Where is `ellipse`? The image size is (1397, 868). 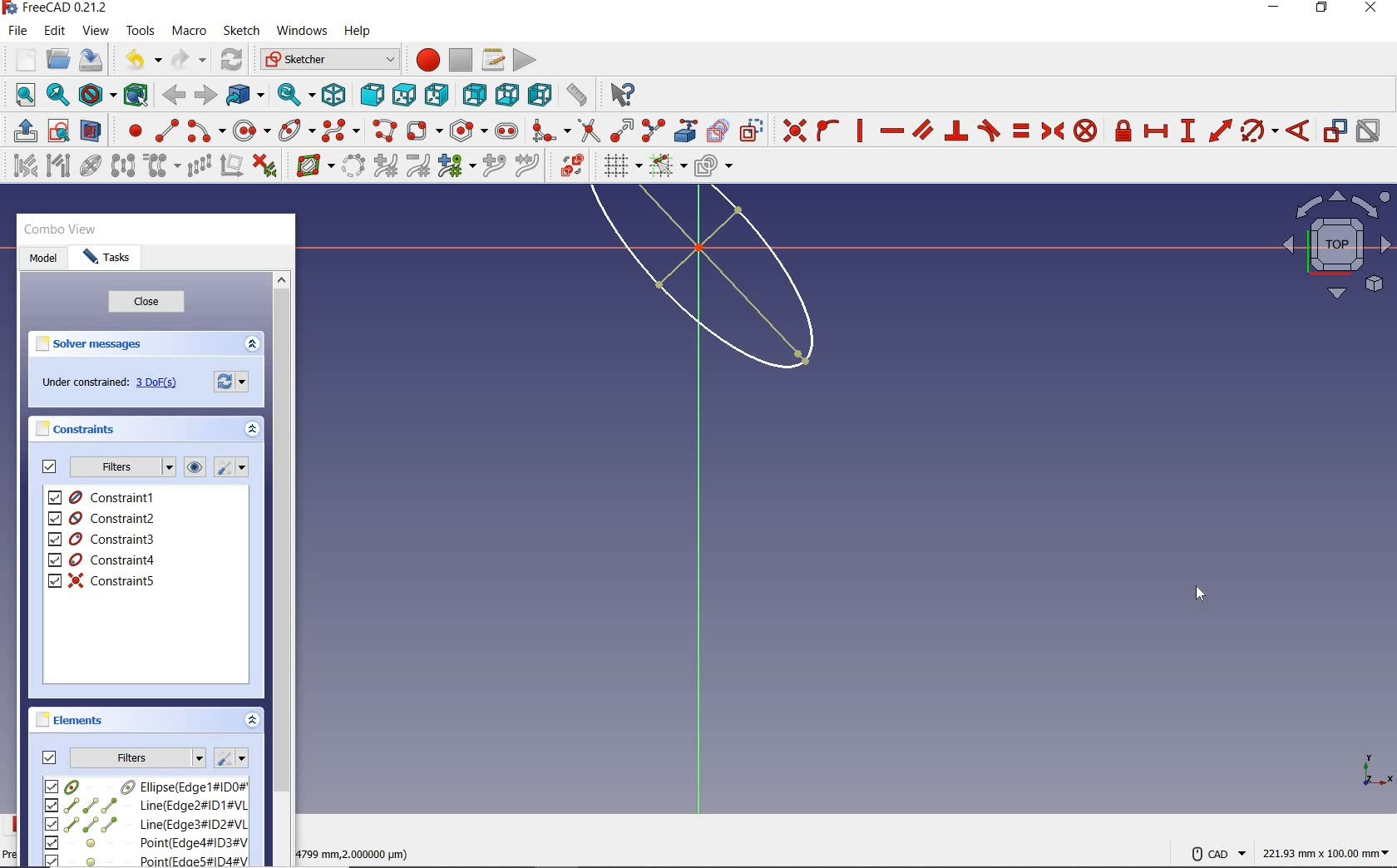 ellipse is located at coordinates (296, 129).